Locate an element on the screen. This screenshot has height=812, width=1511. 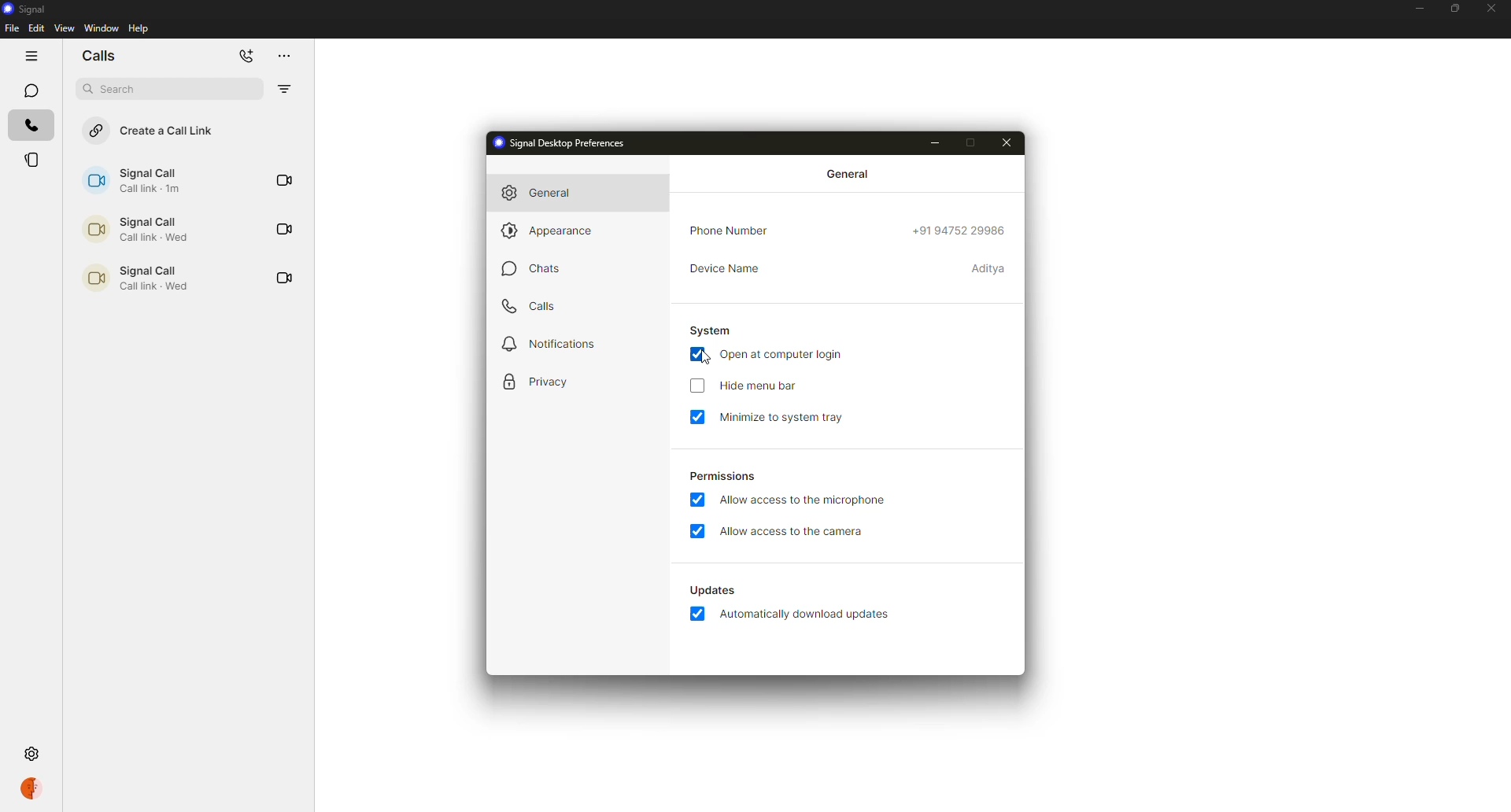
filter is located at coordinates (283, 90).